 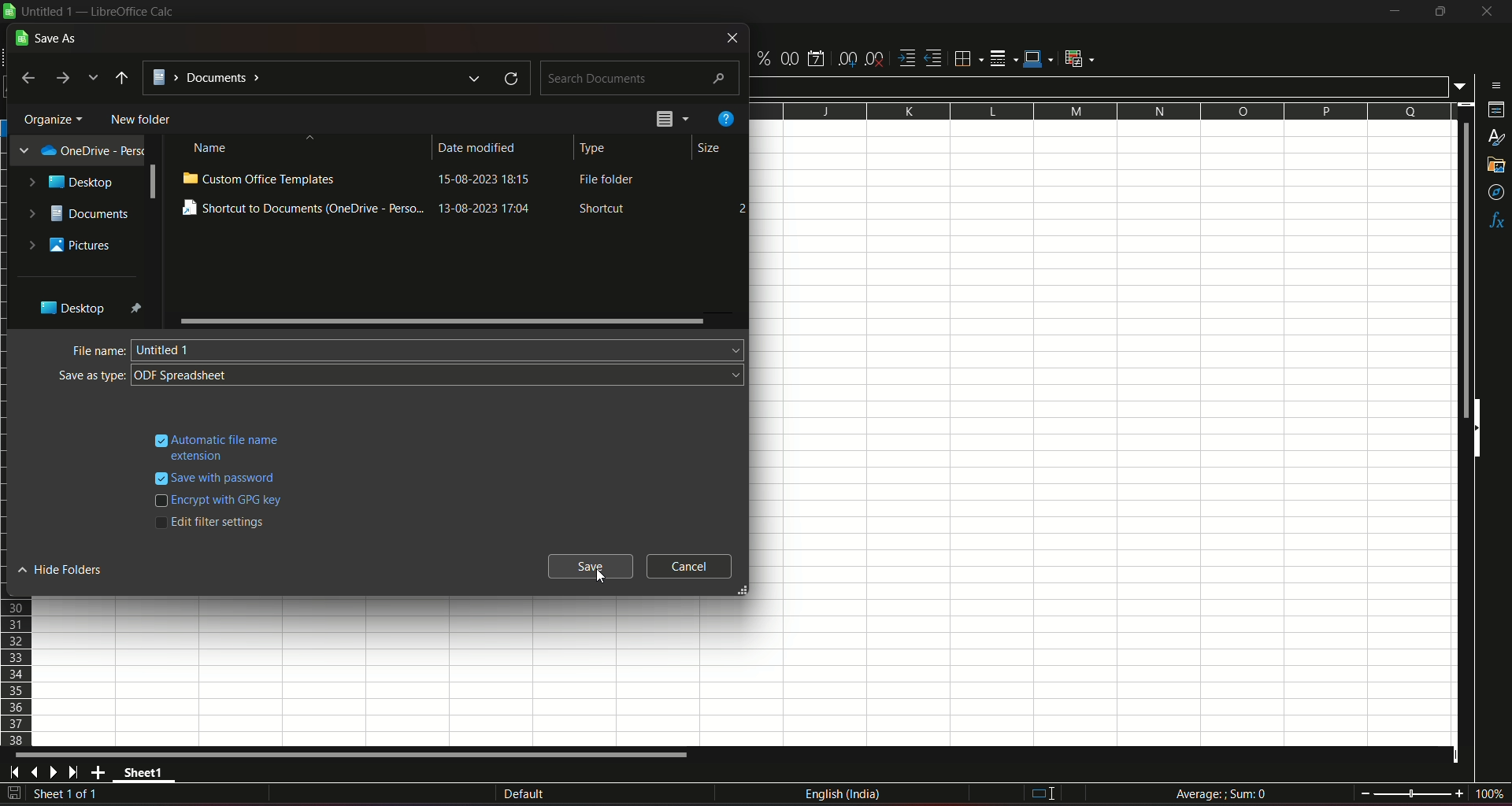 I want to click on standard selection, so click(x=1040, y=793).